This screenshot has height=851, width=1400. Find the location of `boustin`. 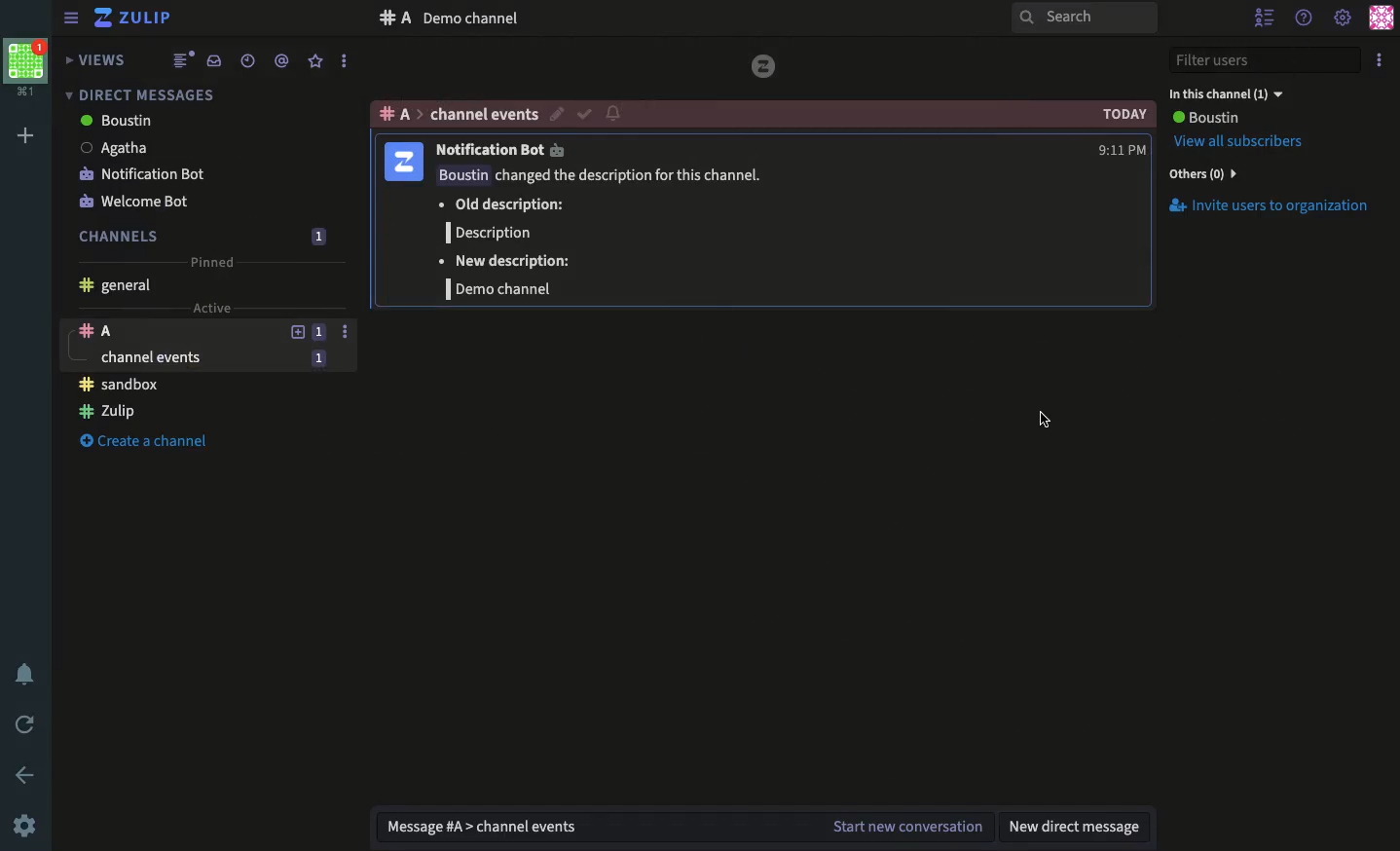

boustin is located at coordinates (1206, 117).